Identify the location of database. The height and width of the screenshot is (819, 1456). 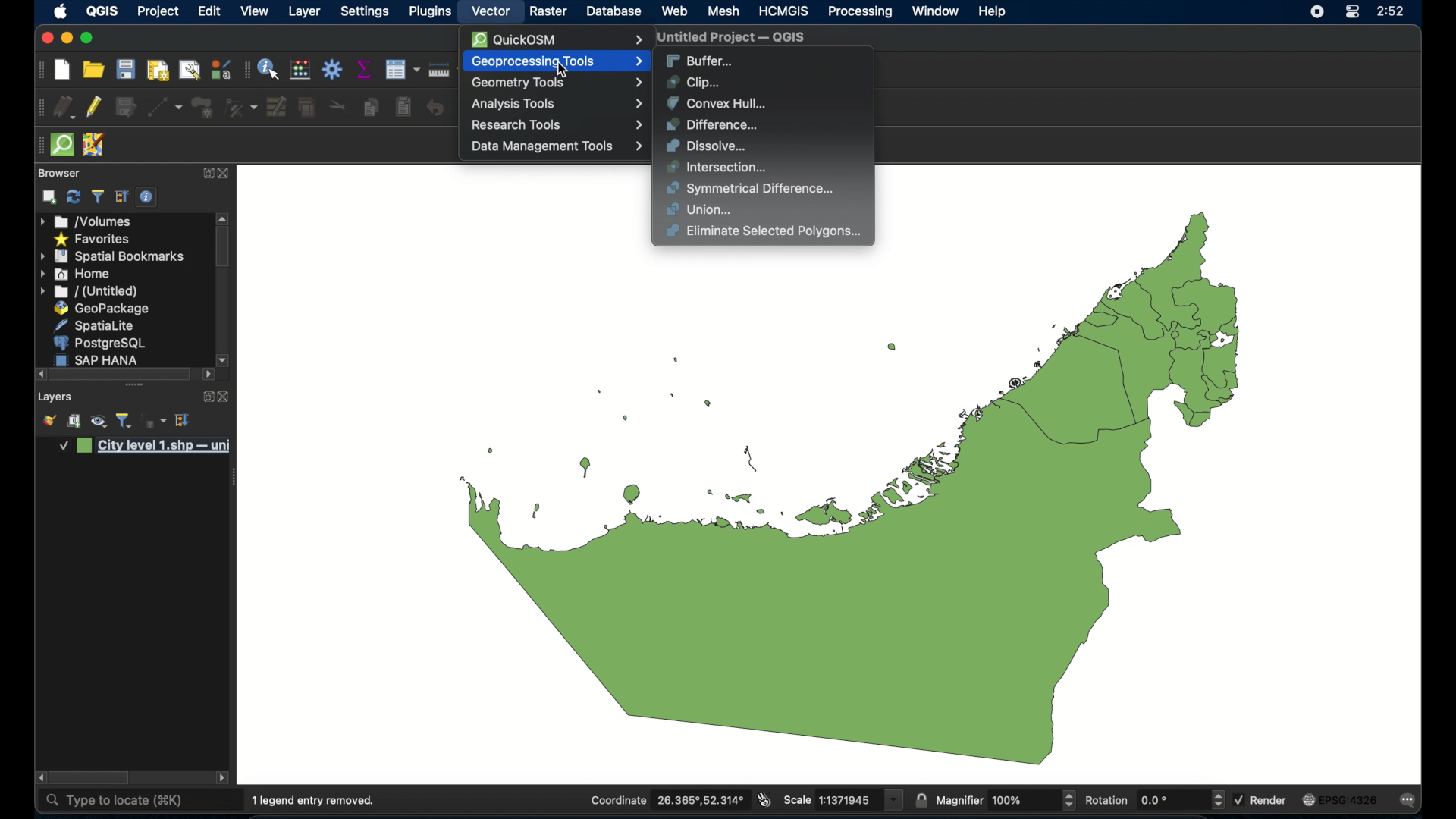
(615, 11).